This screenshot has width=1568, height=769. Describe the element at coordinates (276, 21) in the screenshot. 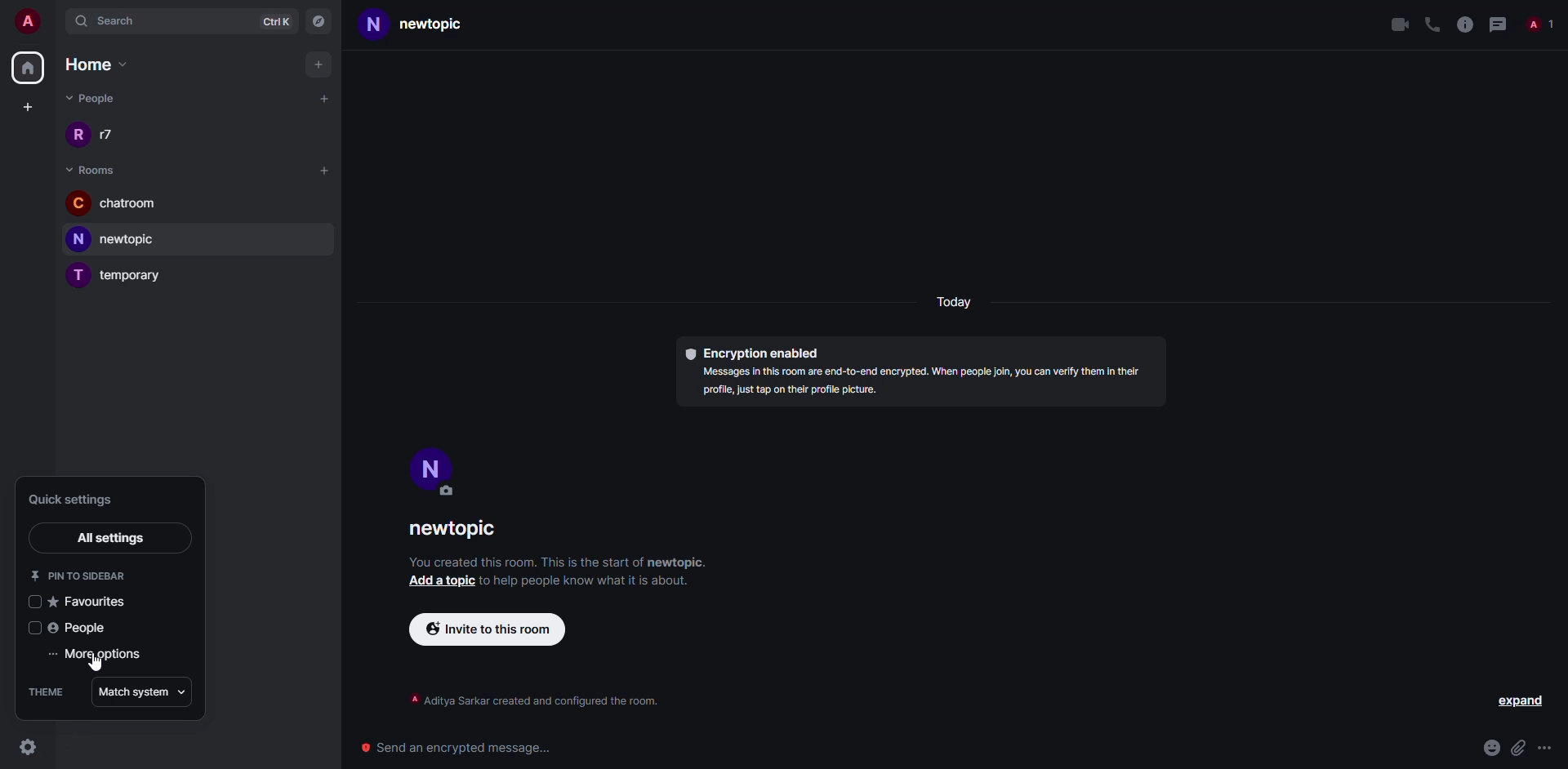

I see `ctrlK` at that location.